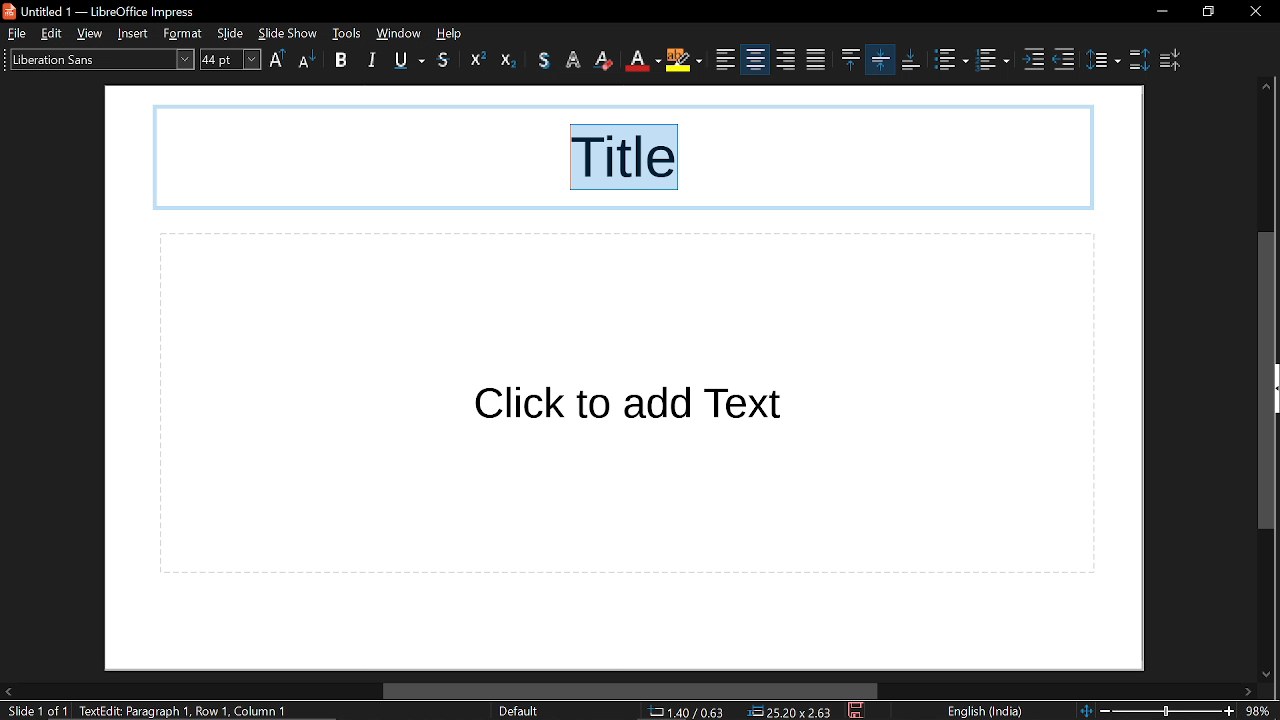 Image resolution: width=1280 pixels, height=720 pixels. I want to click on slider, so click(1168, 709).